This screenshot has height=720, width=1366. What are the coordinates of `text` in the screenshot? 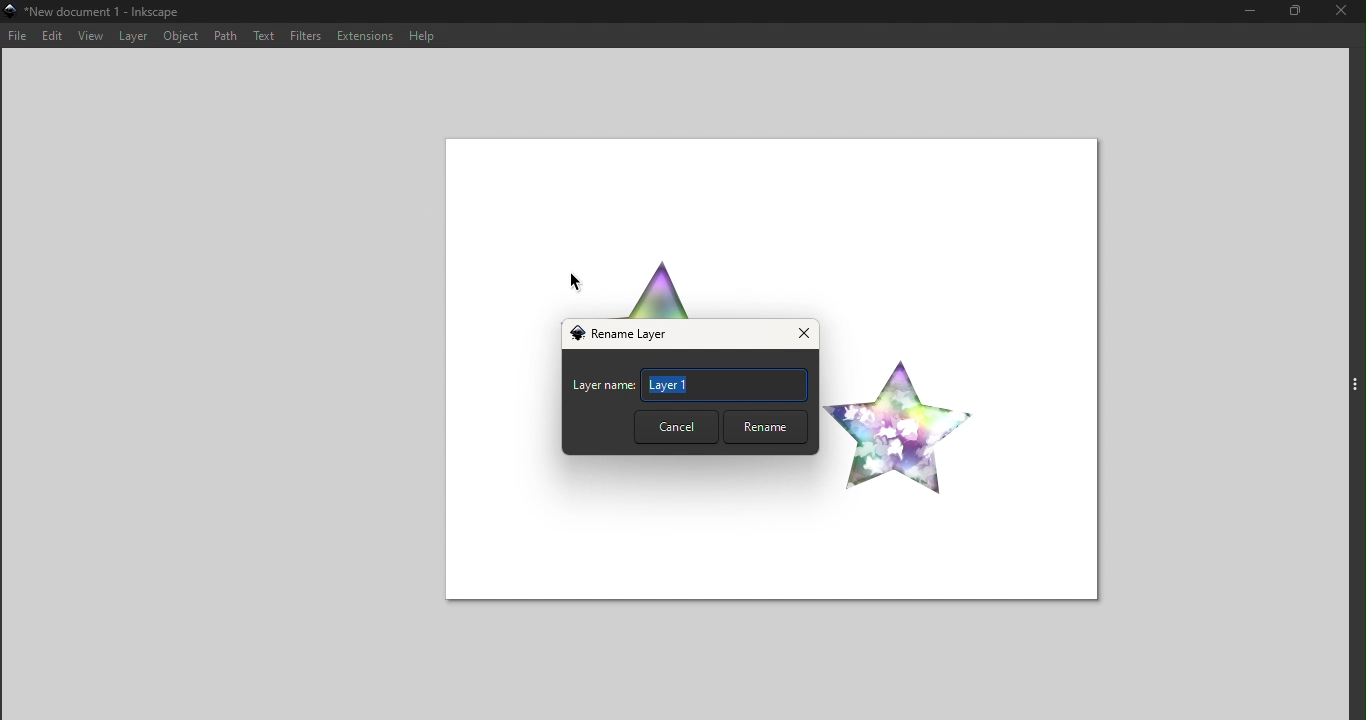 It's located at (265, 35).